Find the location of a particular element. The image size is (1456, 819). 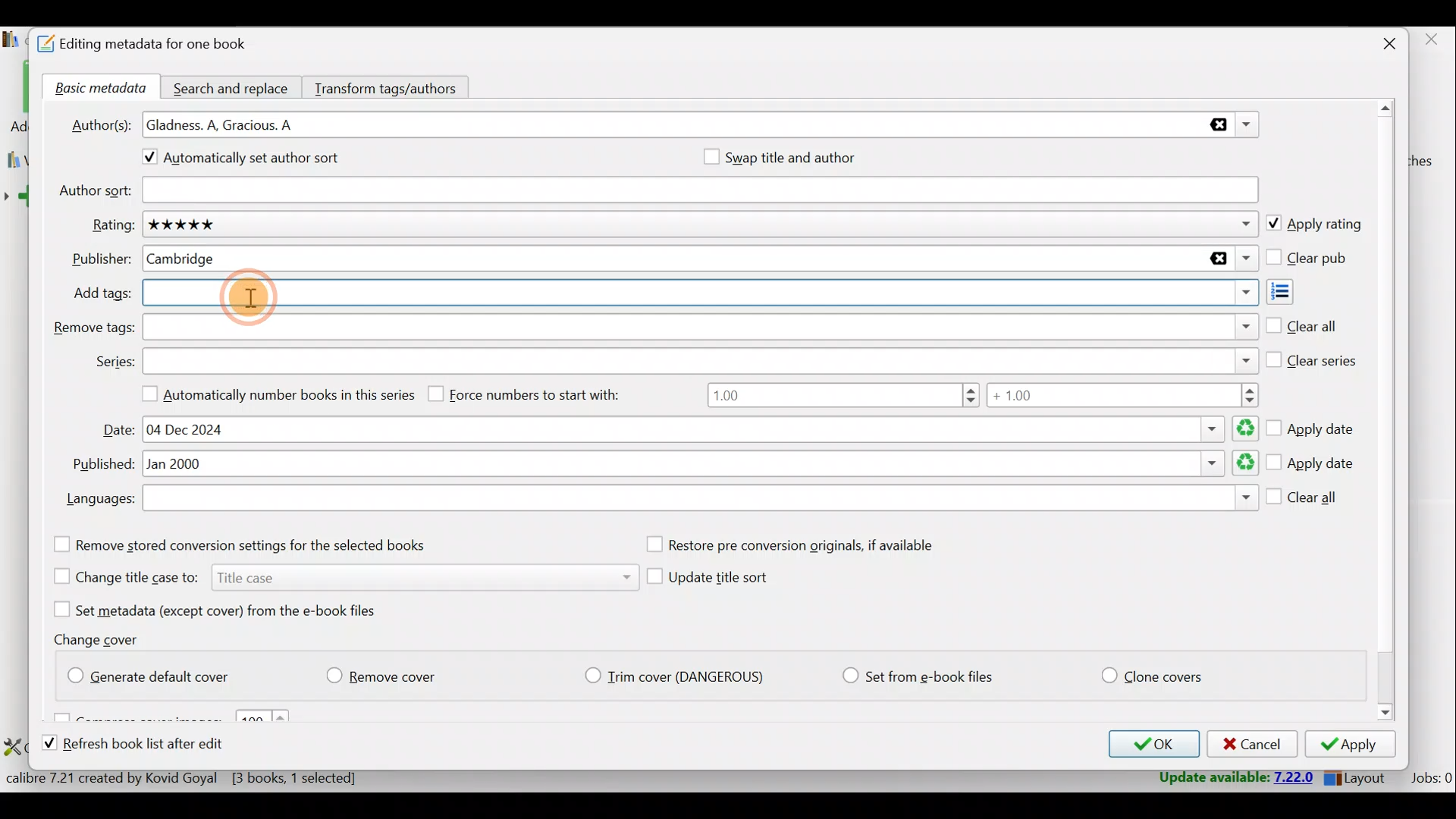

Add tags is located at coordinates (1294, 292).